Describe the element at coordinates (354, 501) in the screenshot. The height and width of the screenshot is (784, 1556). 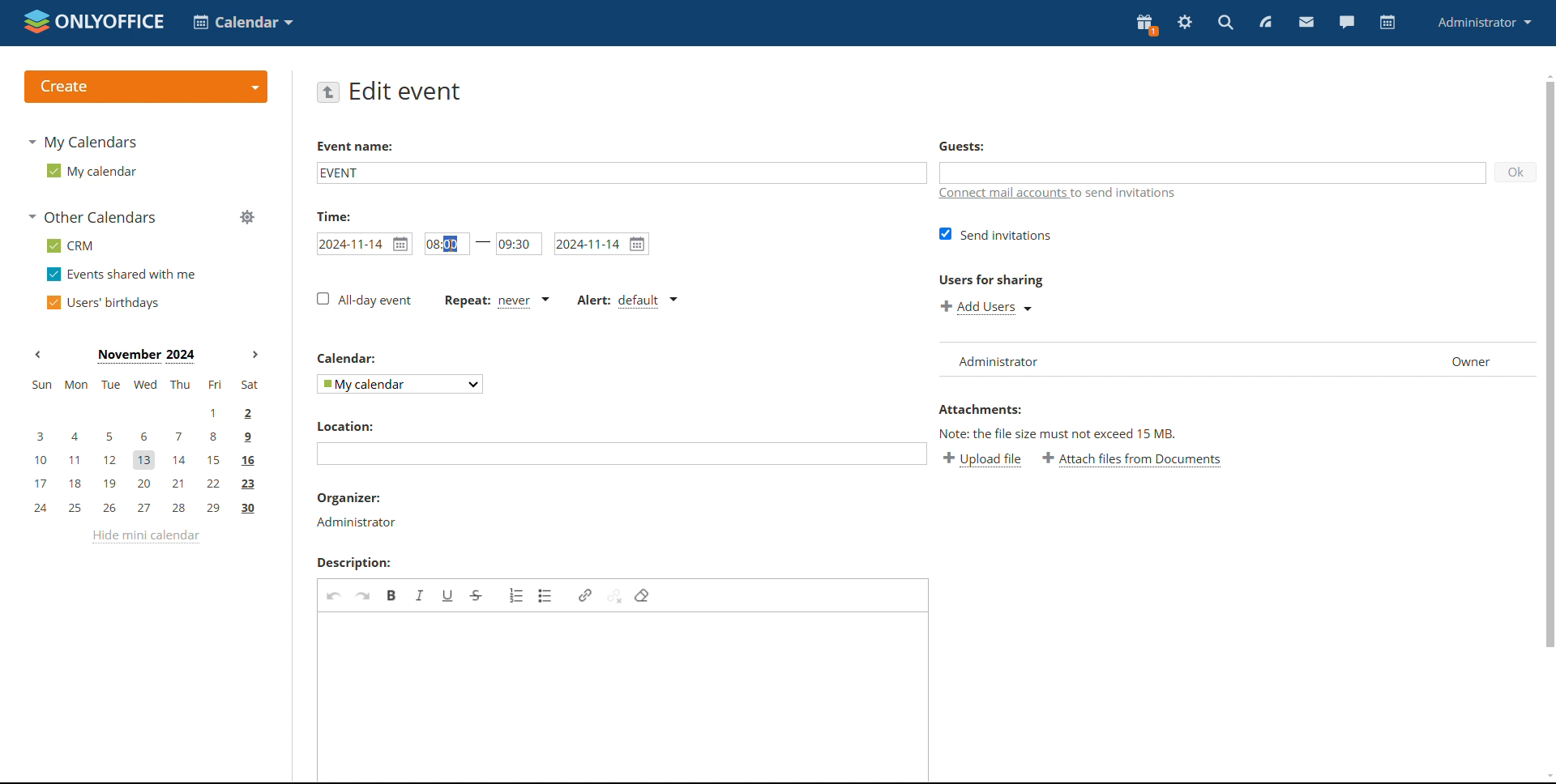
I see `organizer` at that location.